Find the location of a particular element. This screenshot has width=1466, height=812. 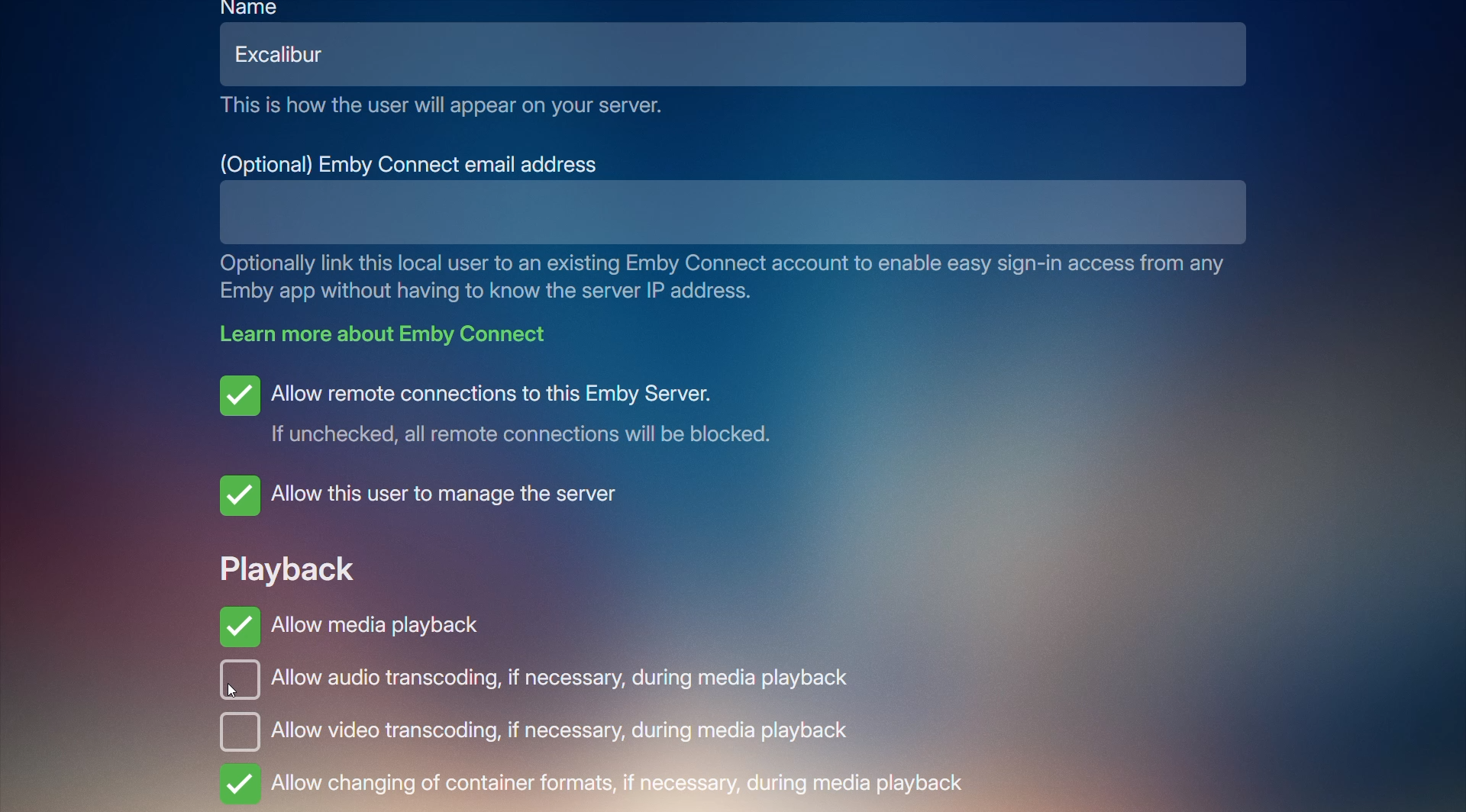

Allow remote connections to this Emby Server.If unchecked, all remote connections will be blocked. is located at coordinates (509, 409).